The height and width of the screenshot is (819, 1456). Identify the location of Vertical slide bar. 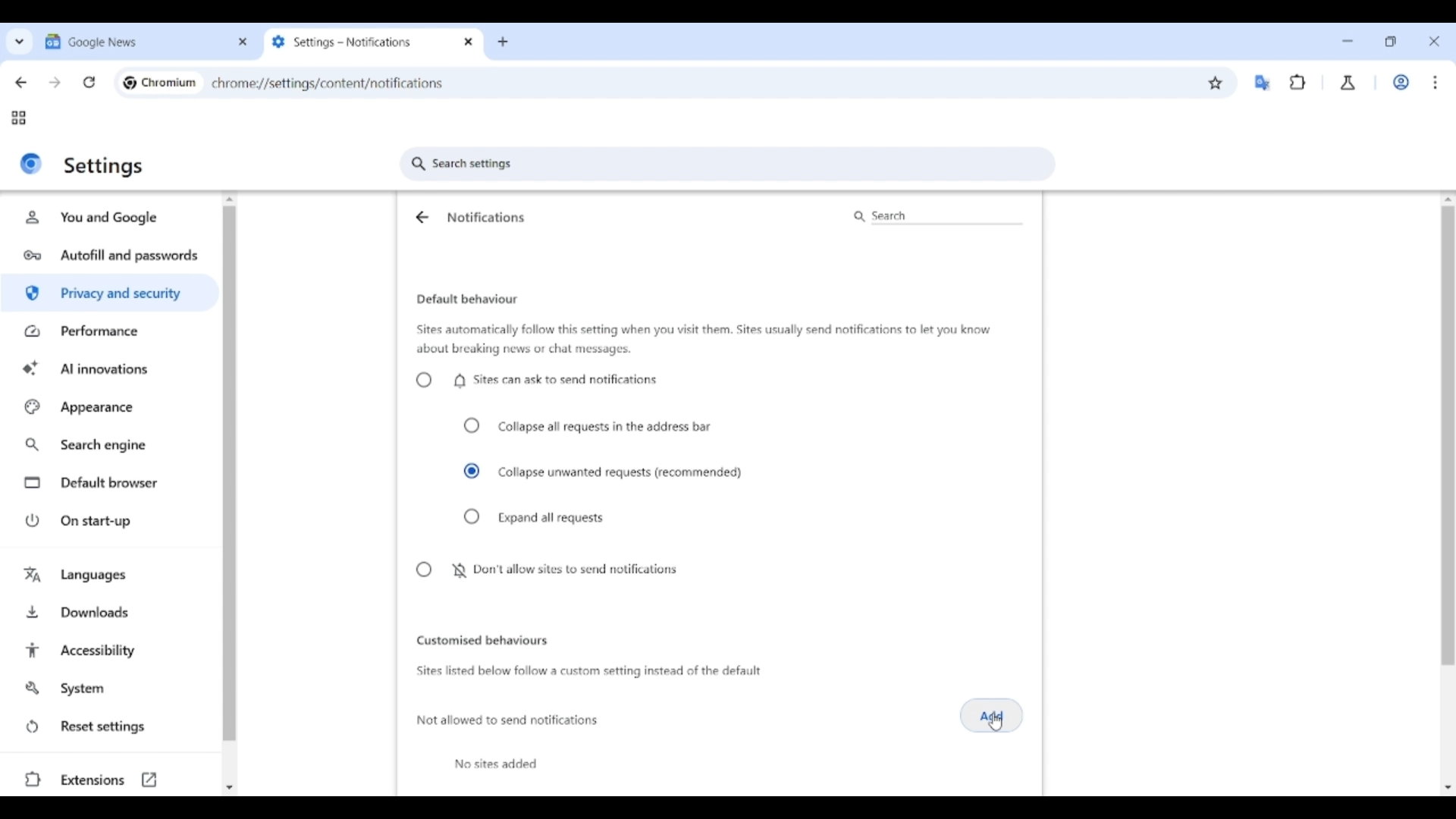
(1448, 361).